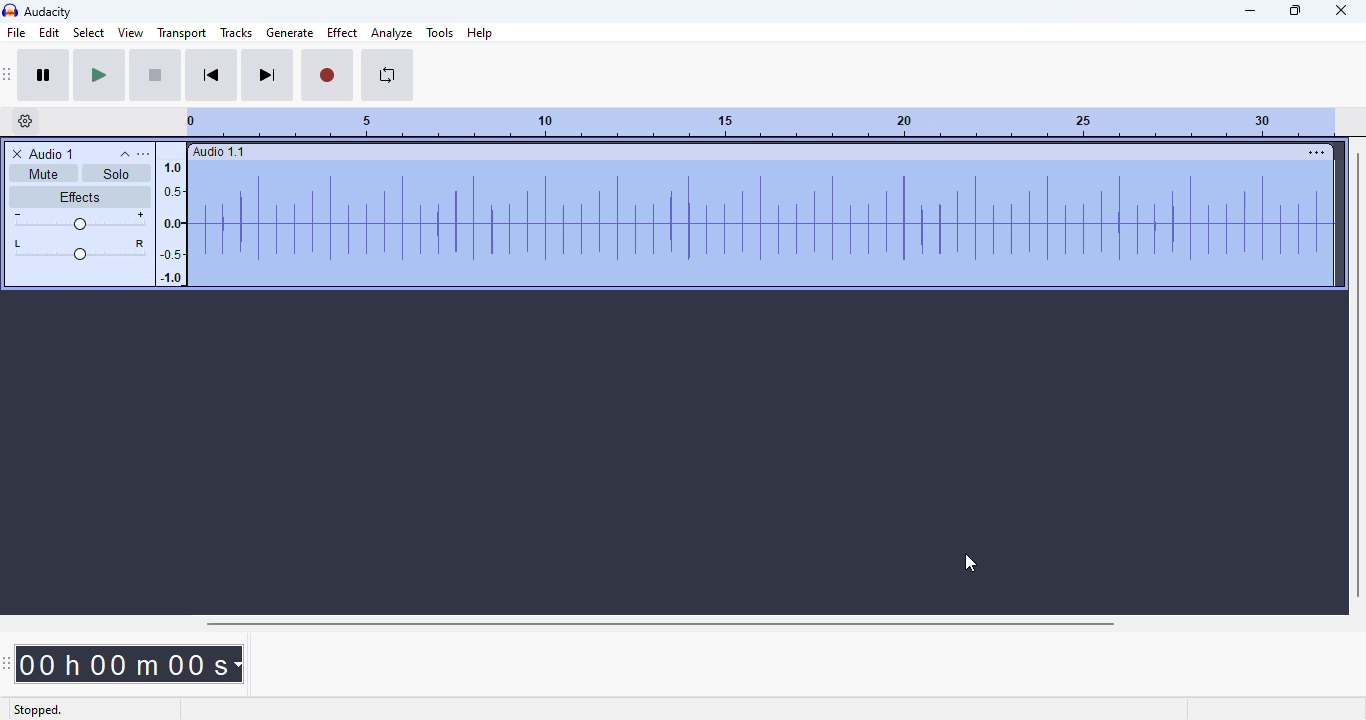 The height and width of the screenshot is (720, 1366). What do you see at coordinates (44, 75) in the screenshot?
I see `pause` at bounding box center [44, 75].